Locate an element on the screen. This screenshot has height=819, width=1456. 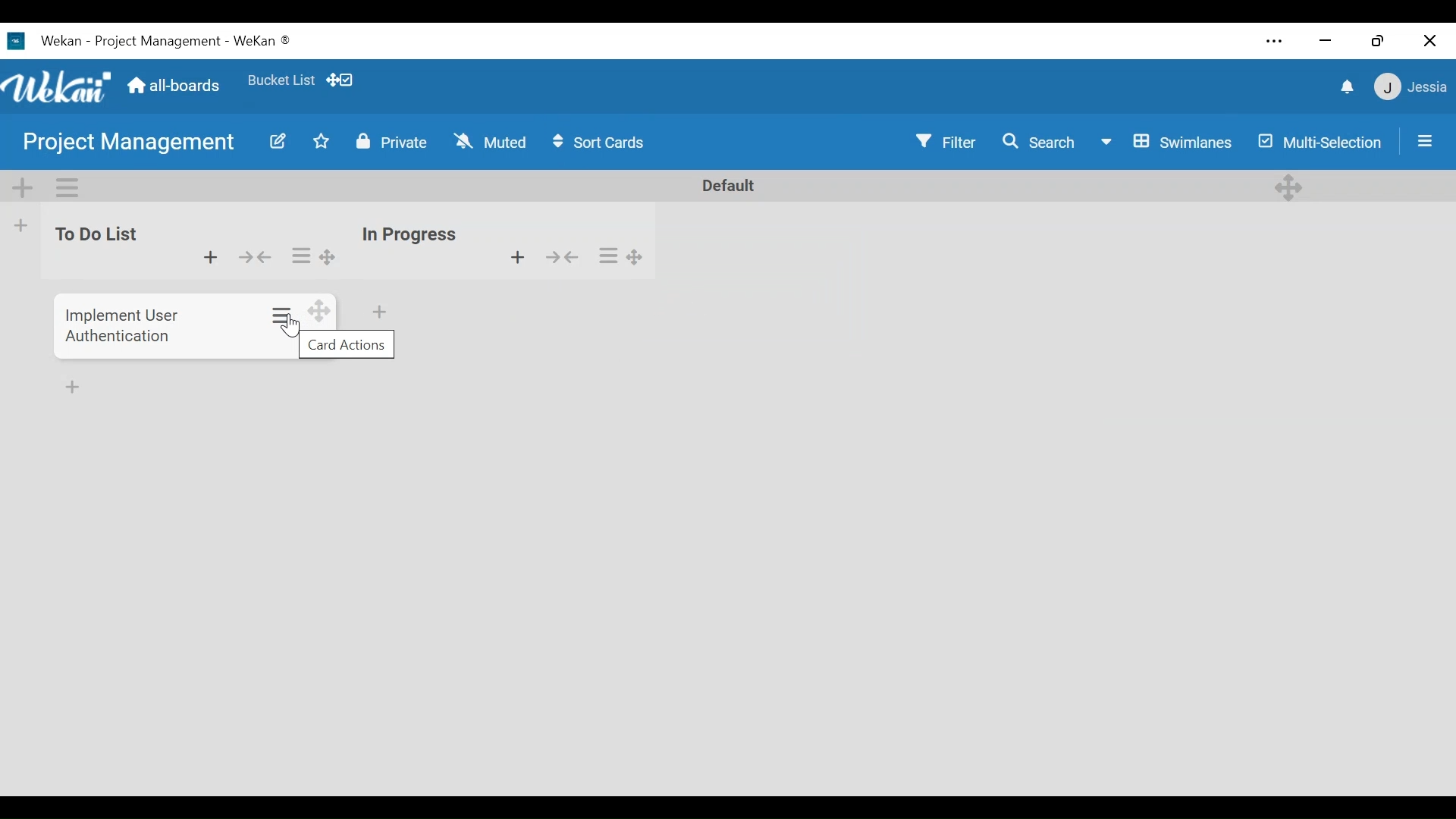
Open/Close Sidebar is located at coordinates (1425, 141).